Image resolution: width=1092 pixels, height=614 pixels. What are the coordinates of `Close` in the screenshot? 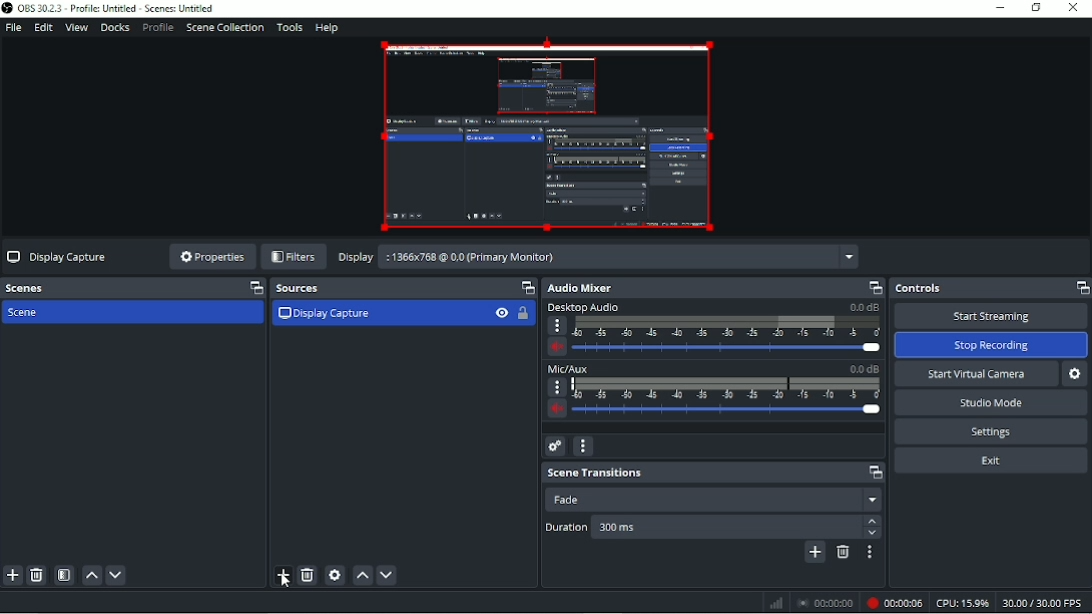 It's located at (1075, 9).